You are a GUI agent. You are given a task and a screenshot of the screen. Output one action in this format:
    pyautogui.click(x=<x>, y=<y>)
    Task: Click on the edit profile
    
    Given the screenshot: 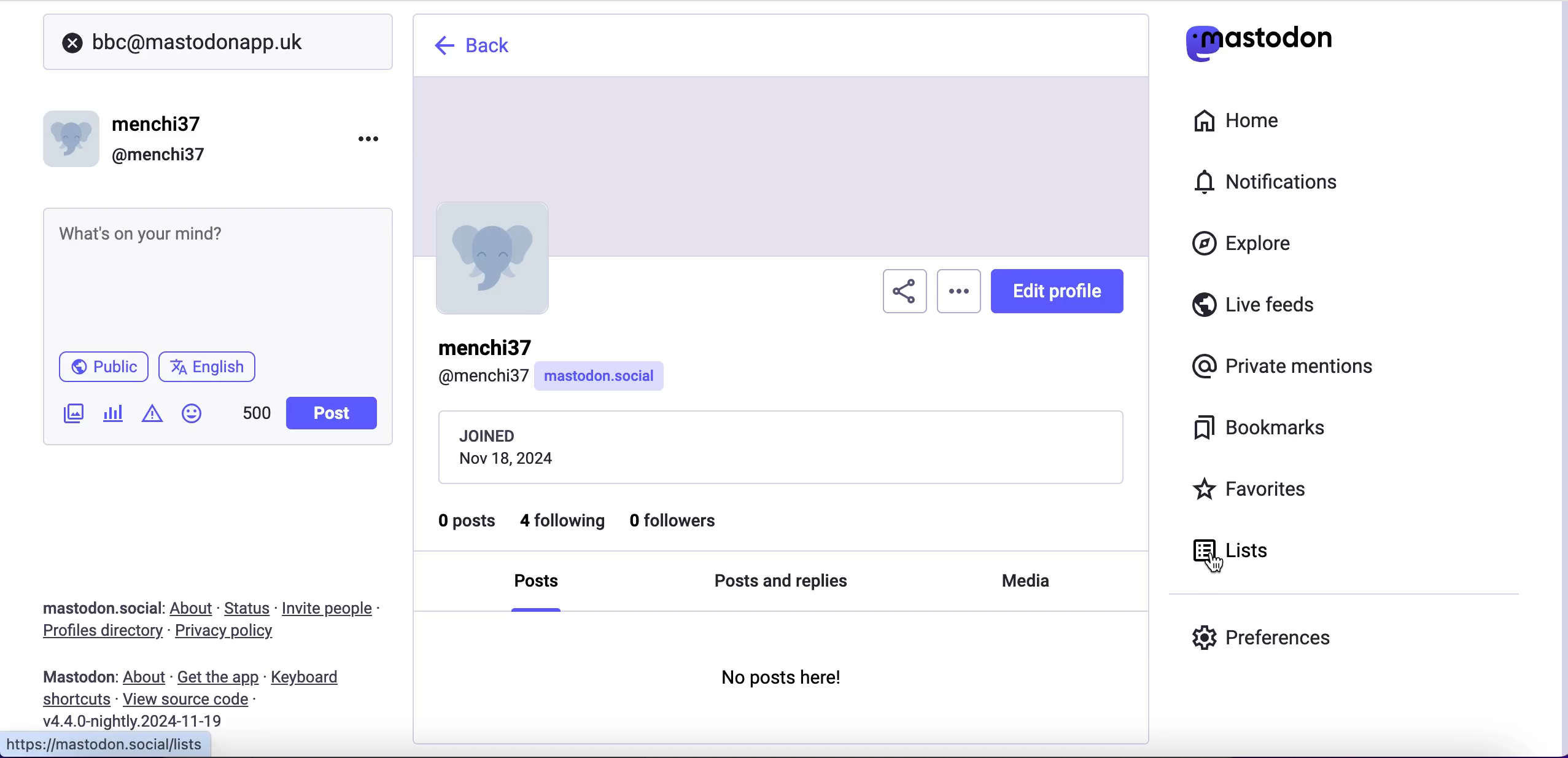 What is the action you would take?
    pyautogui.click(x=1060, y=294)
    